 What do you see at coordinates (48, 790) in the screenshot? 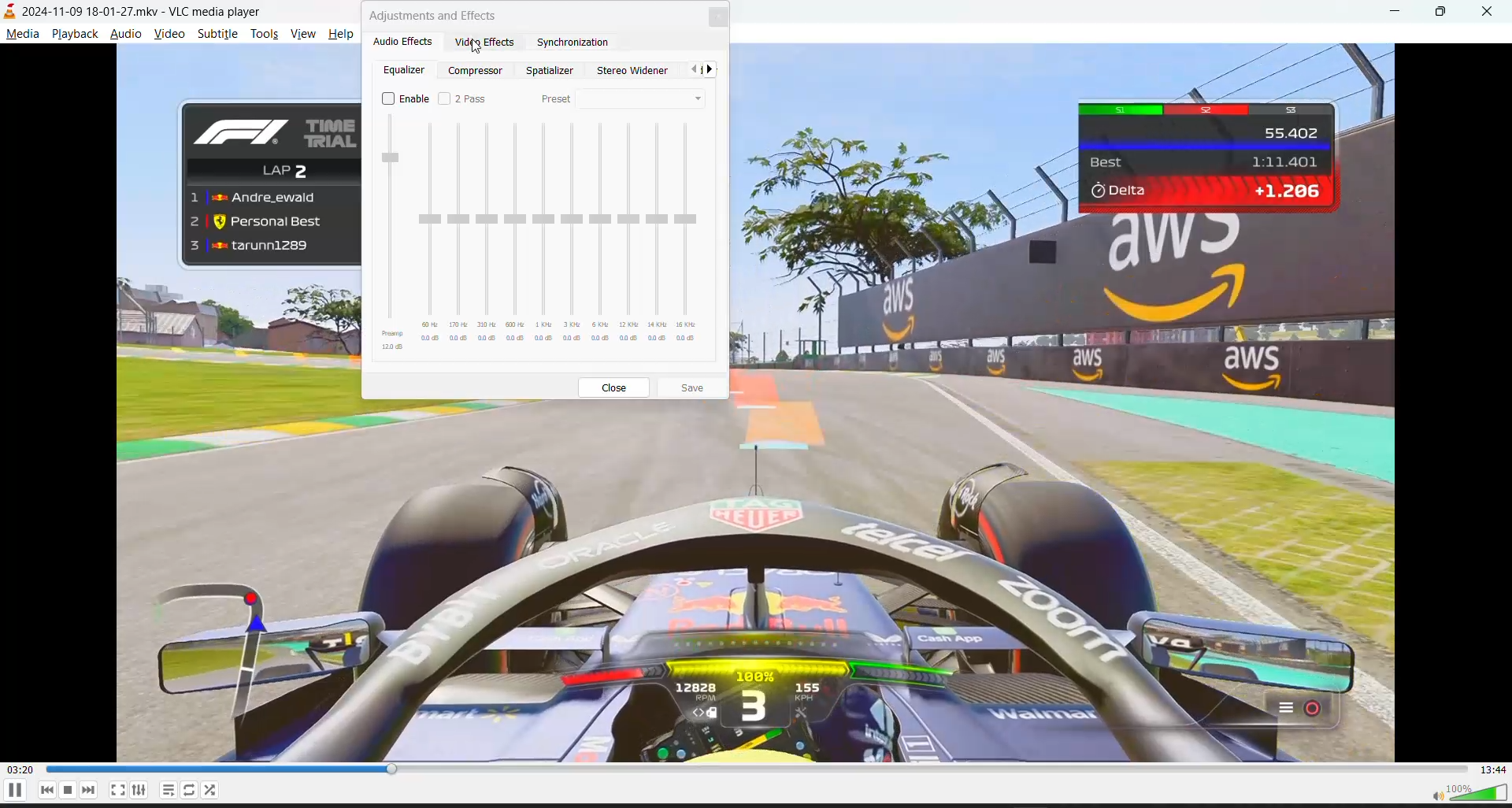
I see `previous` at bounding box center [48, 790].